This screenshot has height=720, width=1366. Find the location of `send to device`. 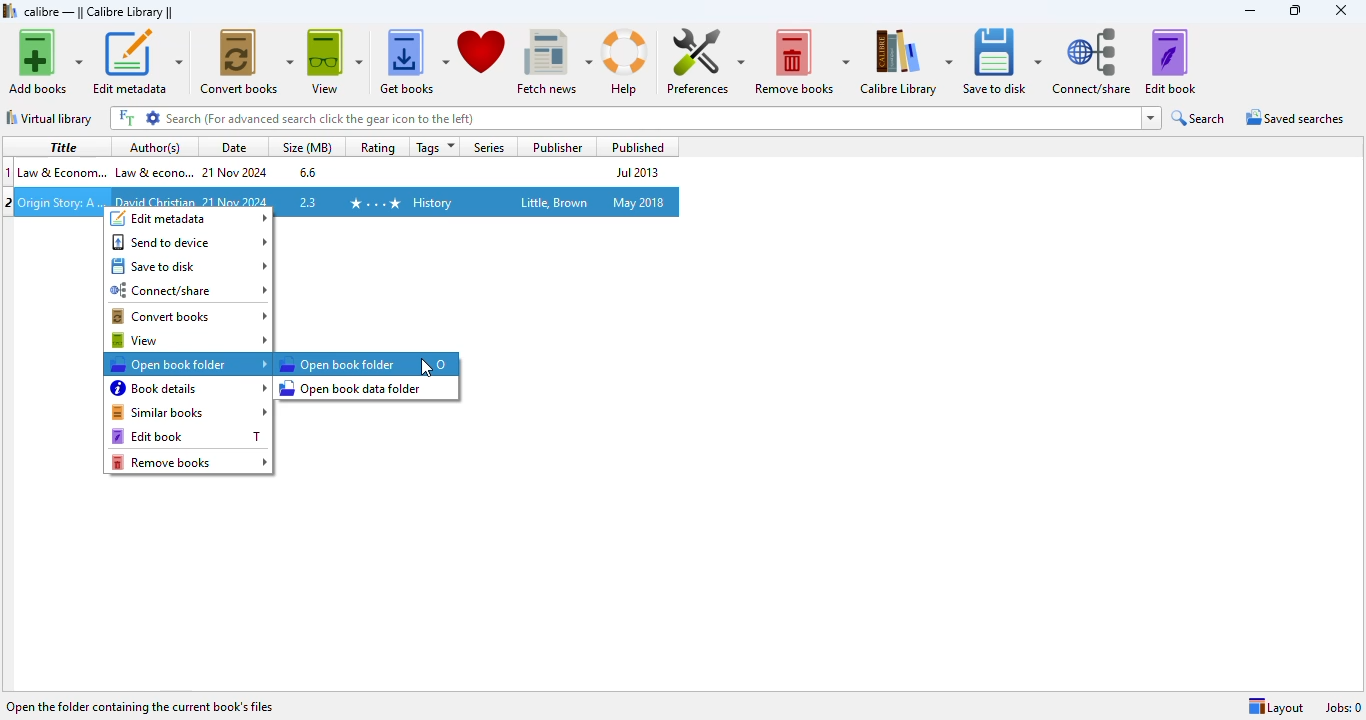

send to device is located at coordinates (189, 242).